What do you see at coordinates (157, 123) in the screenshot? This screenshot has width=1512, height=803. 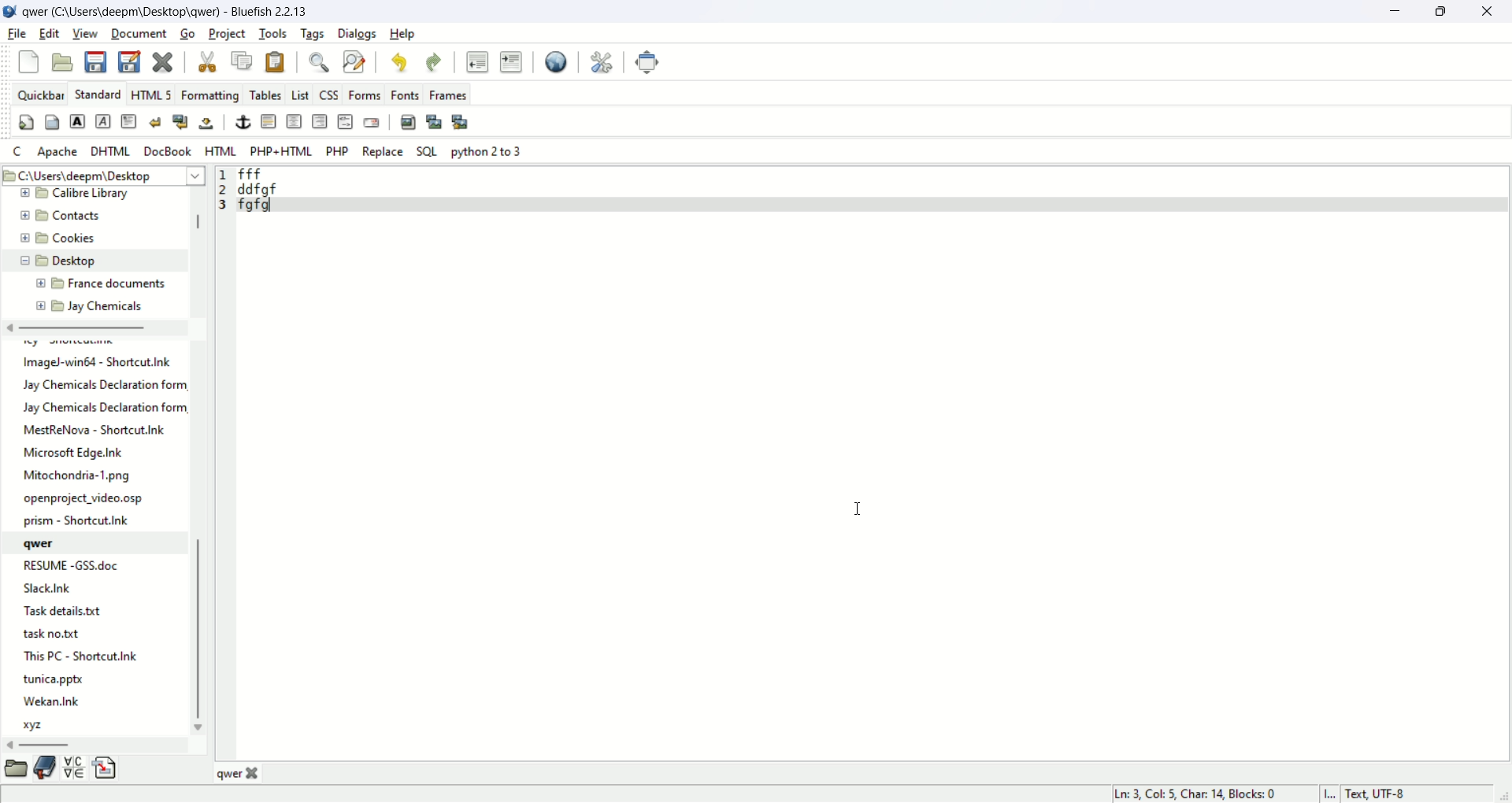 I see `break` at bounding box center [157, 123].